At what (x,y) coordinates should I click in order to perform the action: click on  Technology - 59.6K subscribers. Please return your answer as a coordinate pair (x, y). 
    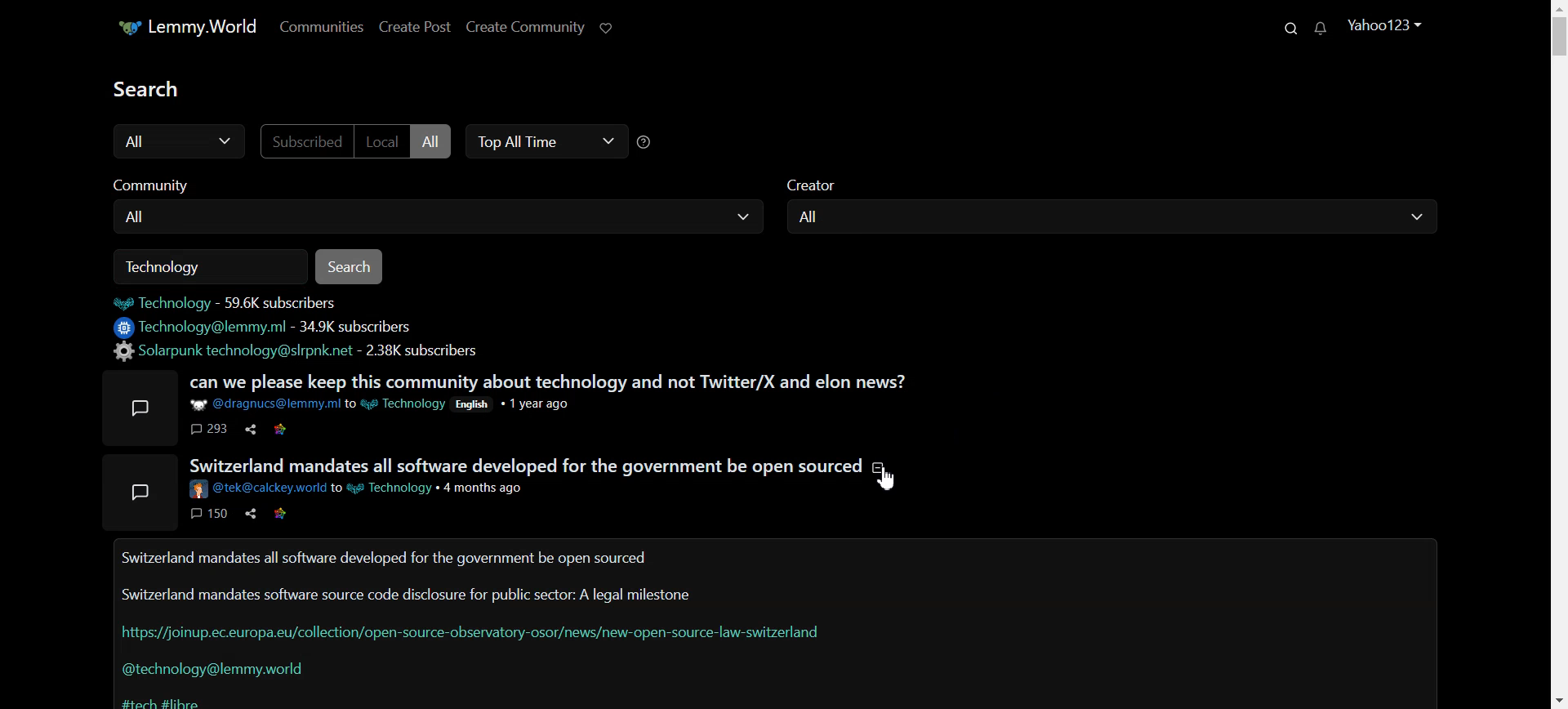
    Looking at the image, I should click on (243, 302).